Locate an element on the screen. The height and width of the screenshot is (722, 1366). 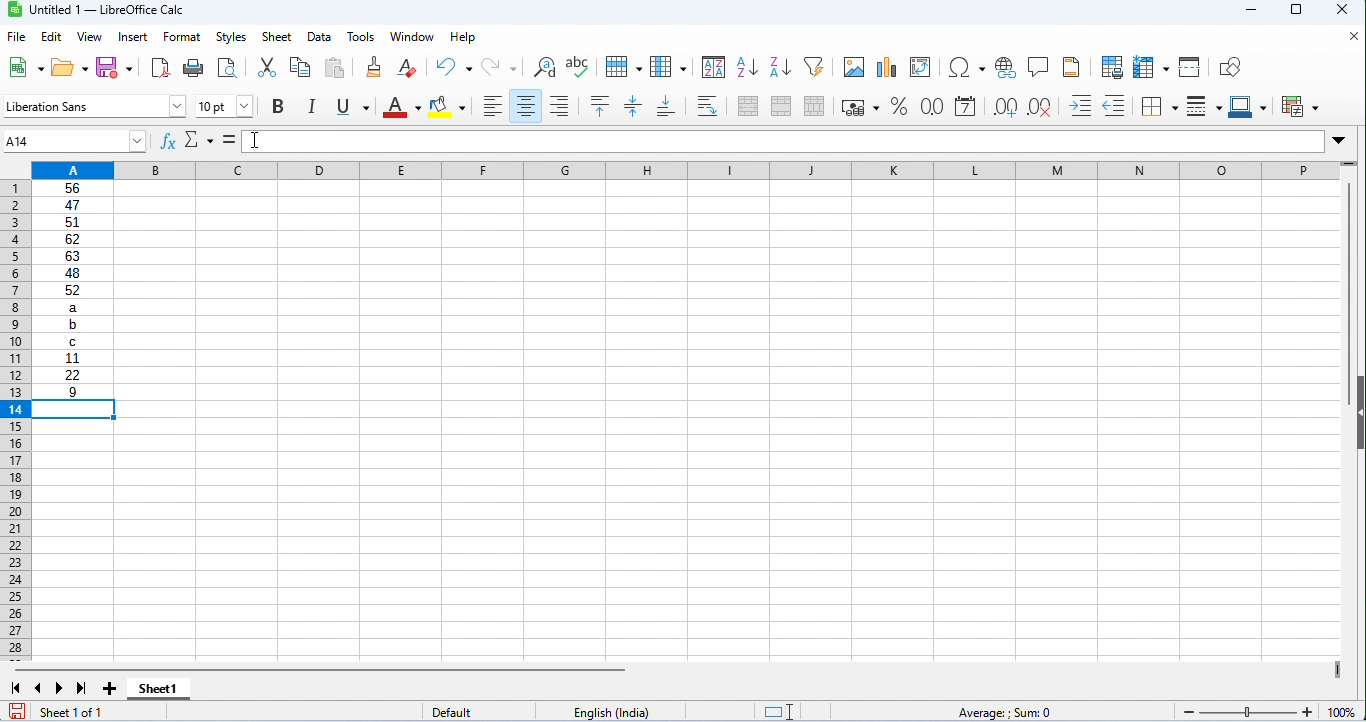
font style input is located at coordinates (84, 106).